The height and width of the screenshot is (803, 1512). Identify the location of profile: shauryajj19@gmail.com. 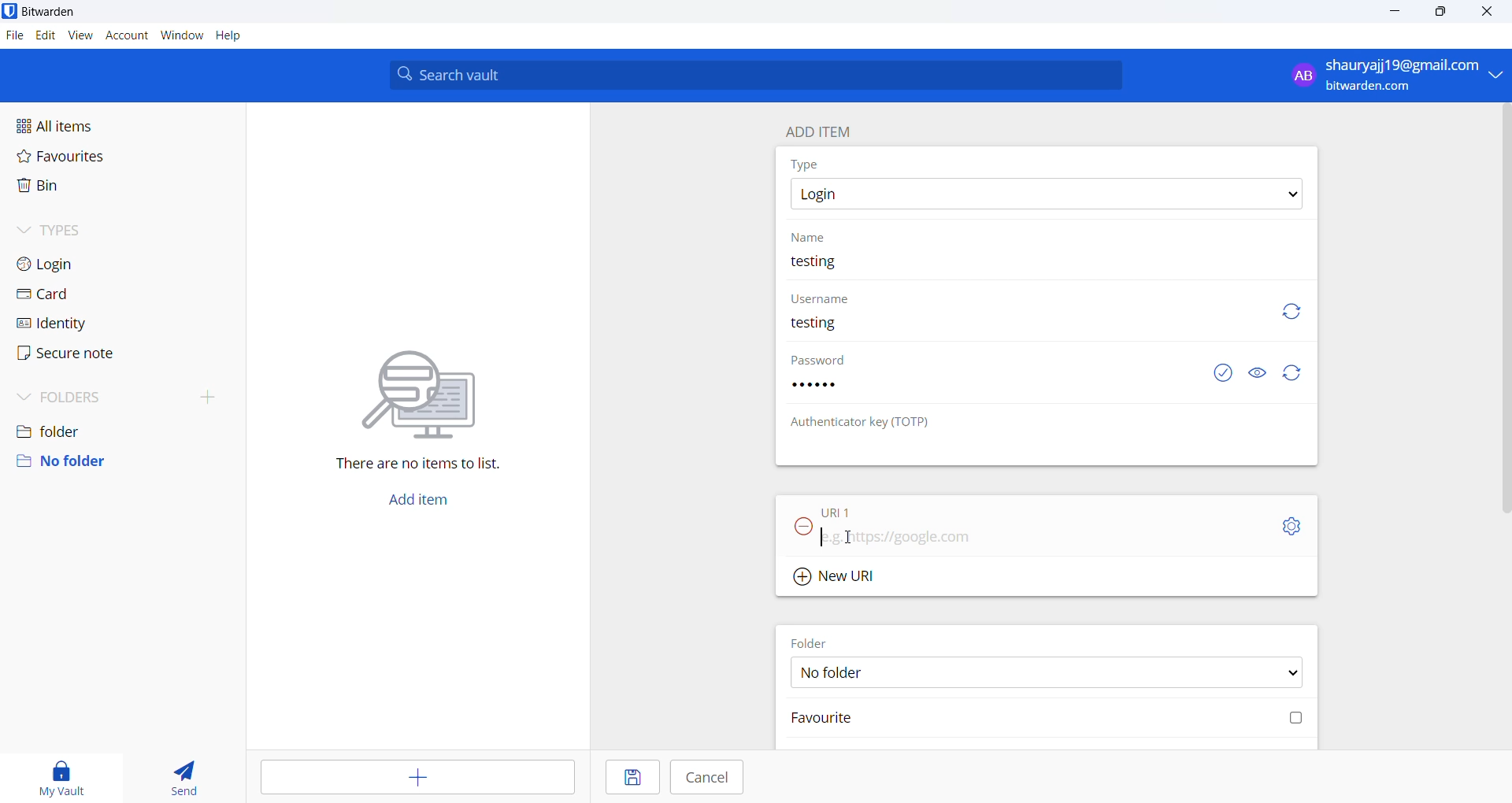
(1392, 75).